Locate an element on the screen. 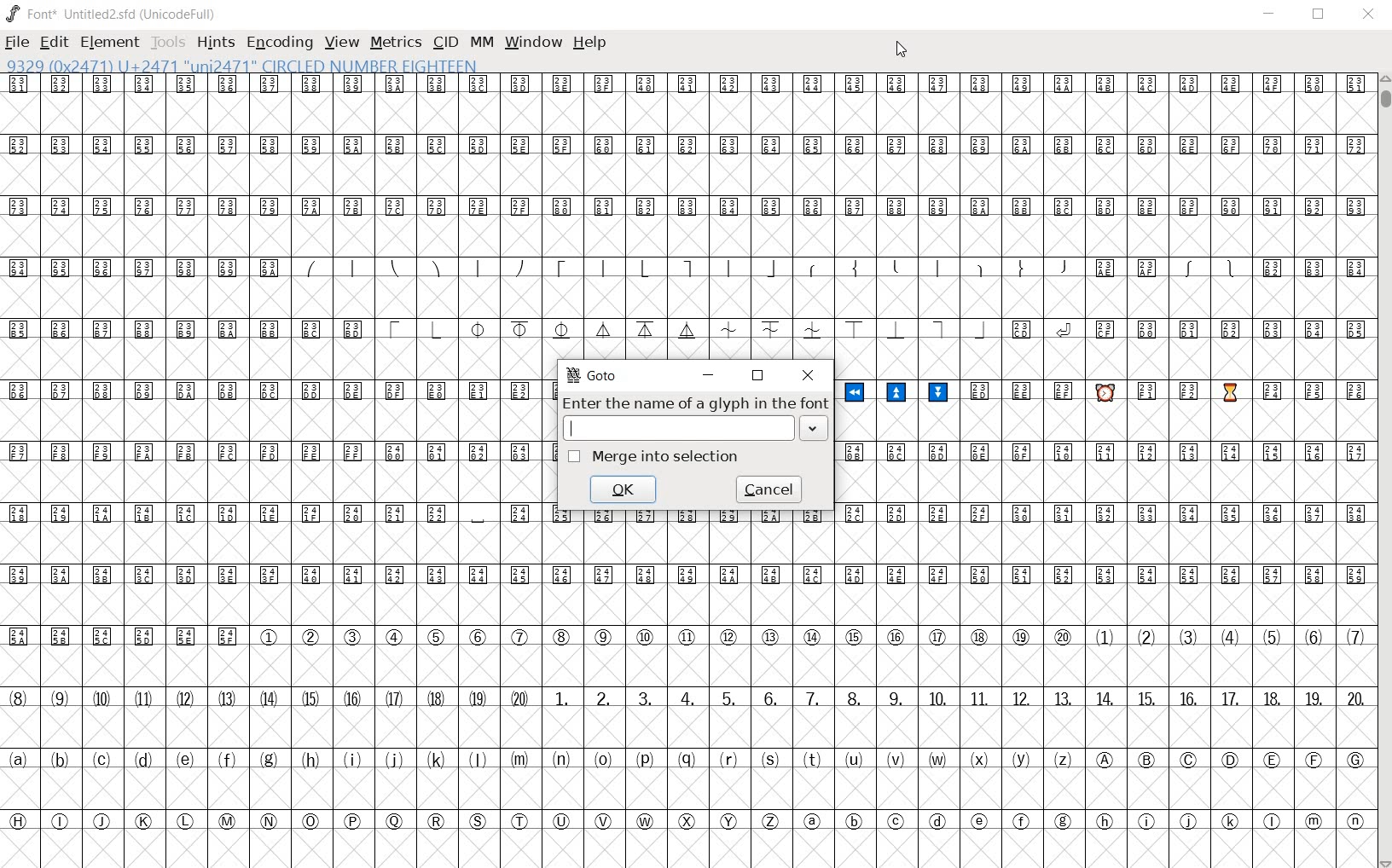 Image resolution: width=1392 pixels, height=868 pixels. minimize is located at coordinates (1272, 15).